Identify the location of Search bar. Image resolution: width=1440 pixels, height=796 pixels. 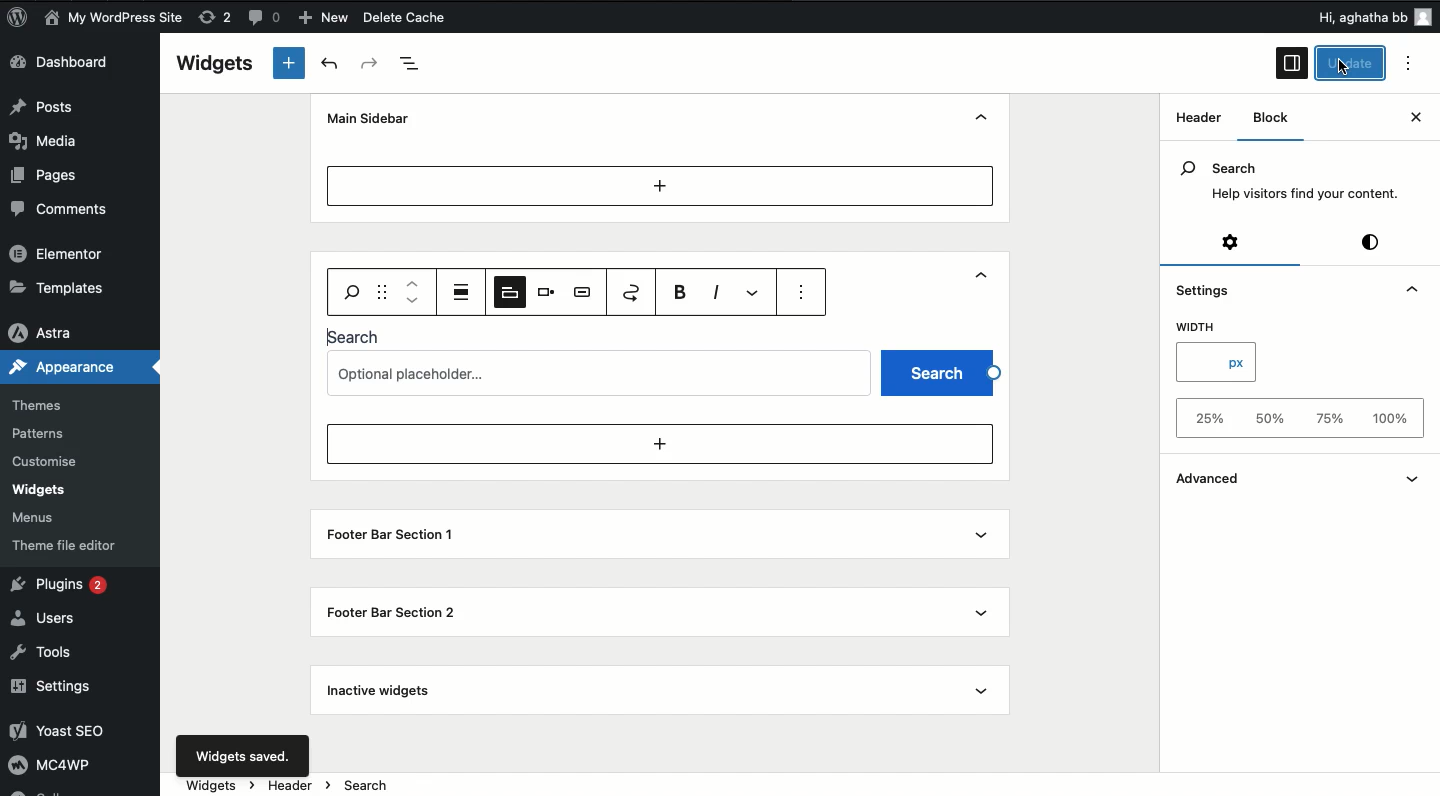
(350, 290).